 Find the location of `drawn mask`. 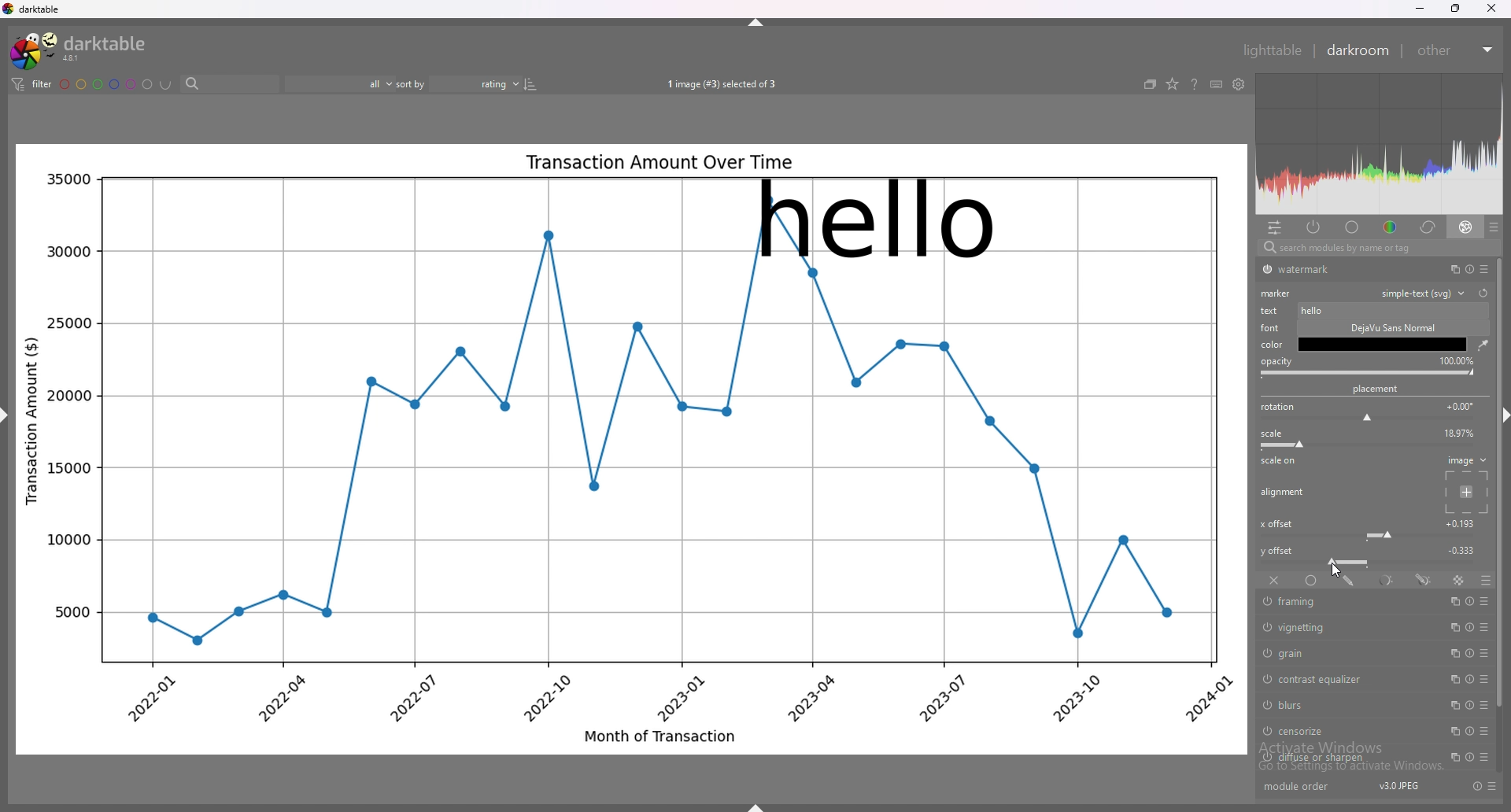

drawn mask is located at coordinates (1351, 580).